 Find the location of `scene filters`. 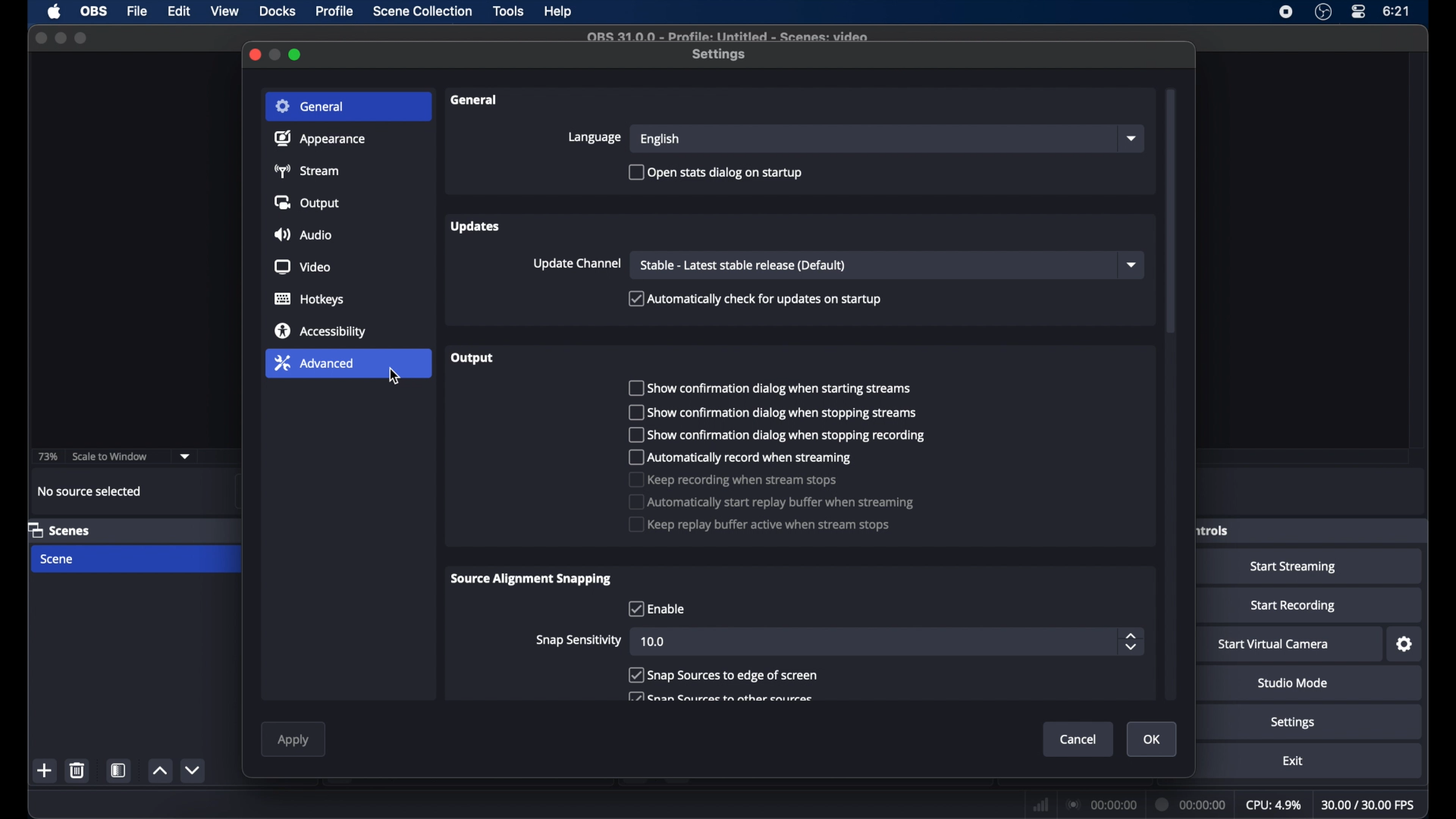

scene filters is located at coordinates (119, 770).